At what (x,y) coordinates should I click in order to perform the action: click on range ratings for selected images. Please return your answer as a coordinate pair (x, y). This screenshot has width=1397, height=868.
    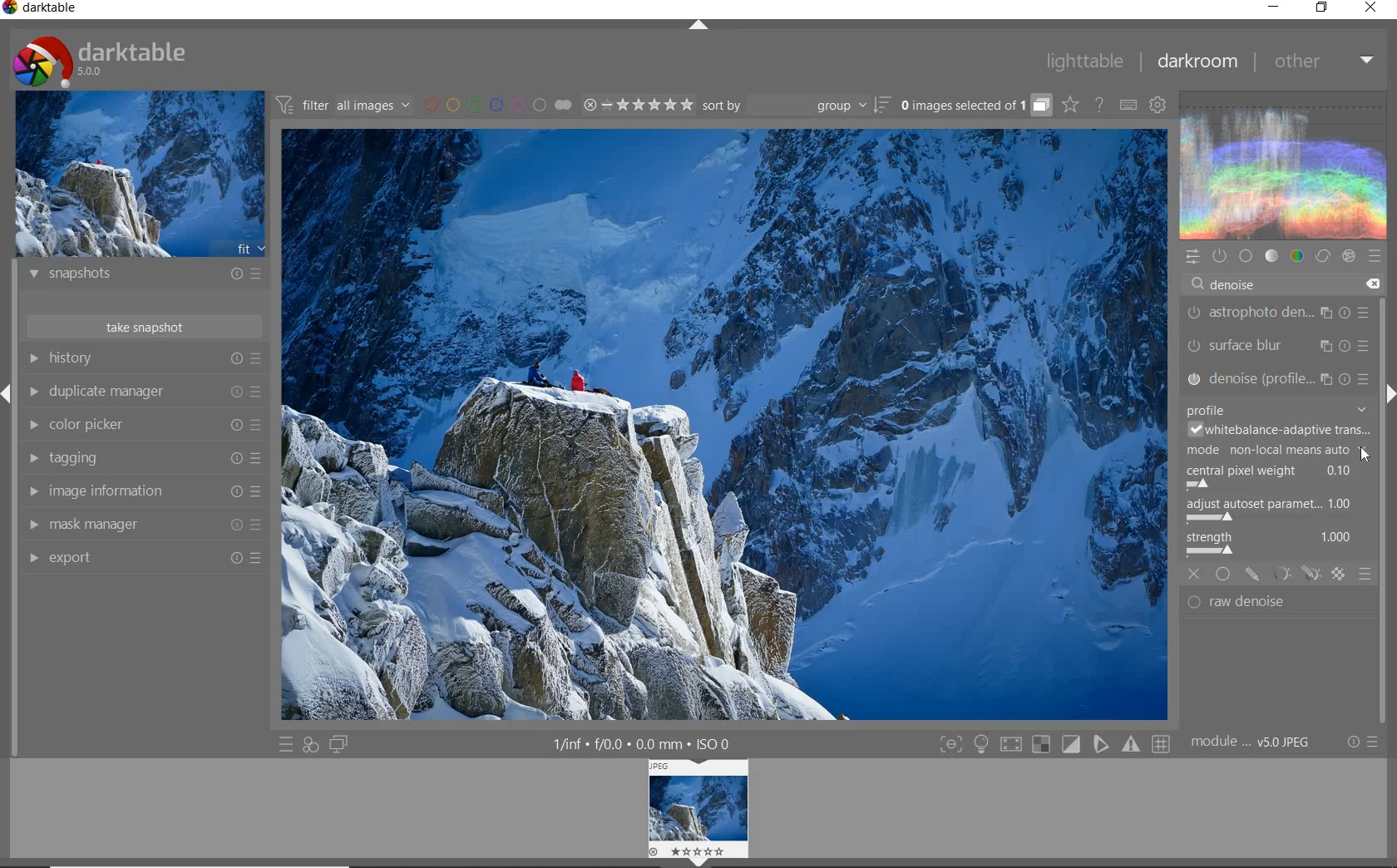
    Looking at the image, I should click on (639, 105).